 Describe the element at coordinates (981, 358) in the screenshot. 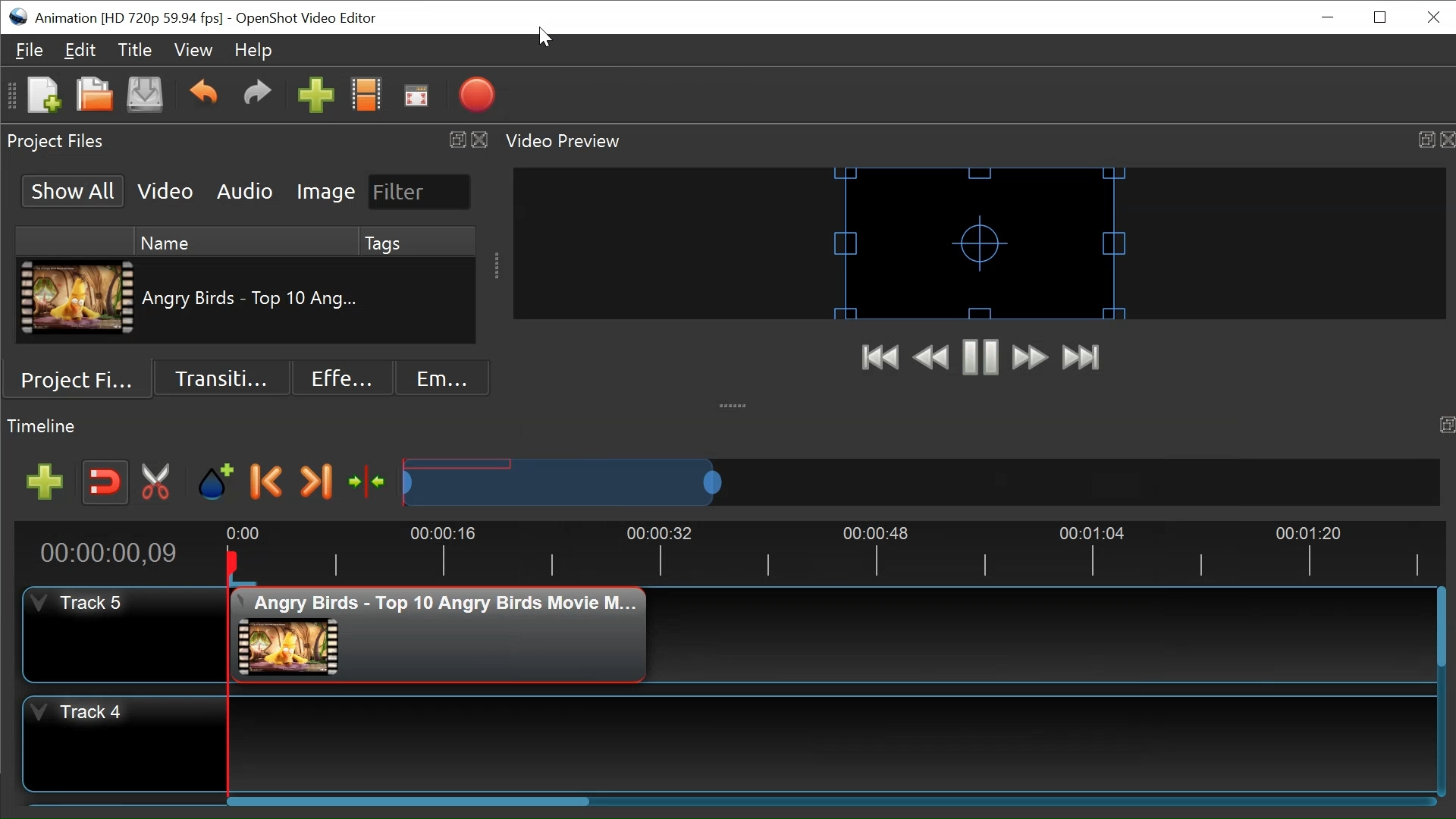

I see `Play` at that location.